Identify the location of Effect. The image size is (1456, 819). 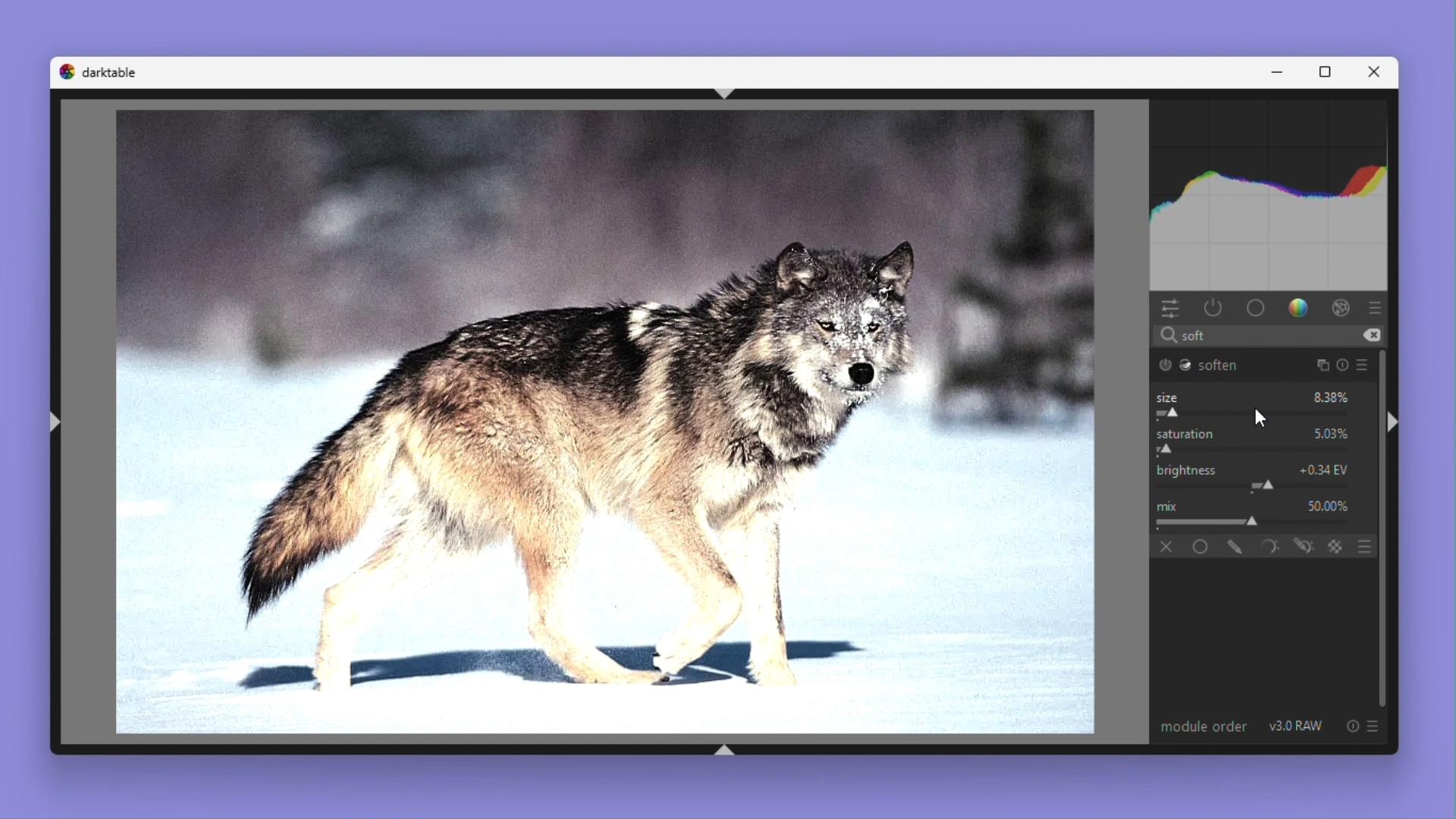
(1342, 309).